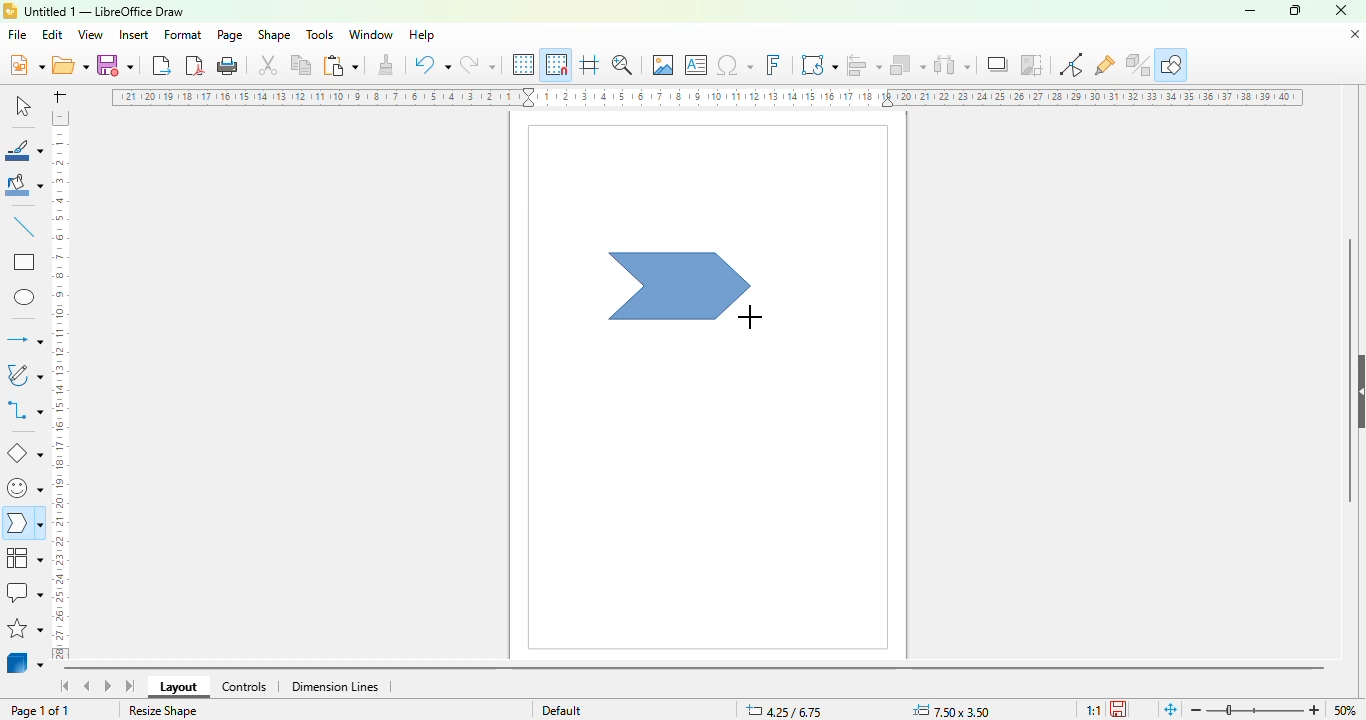 This screenshot has width=1366, height=720. Describe the element at coordinates (115, 65) in the screenshot. I see `save` at that location.